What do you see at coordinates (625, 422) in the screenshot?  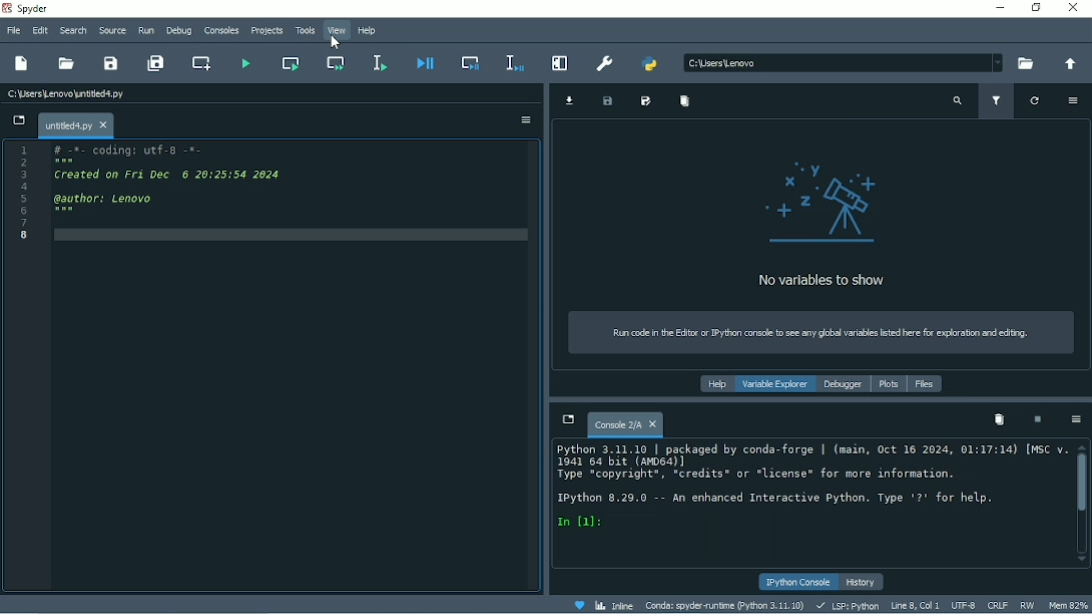 I see `Console` at bounding box center [625, 422].